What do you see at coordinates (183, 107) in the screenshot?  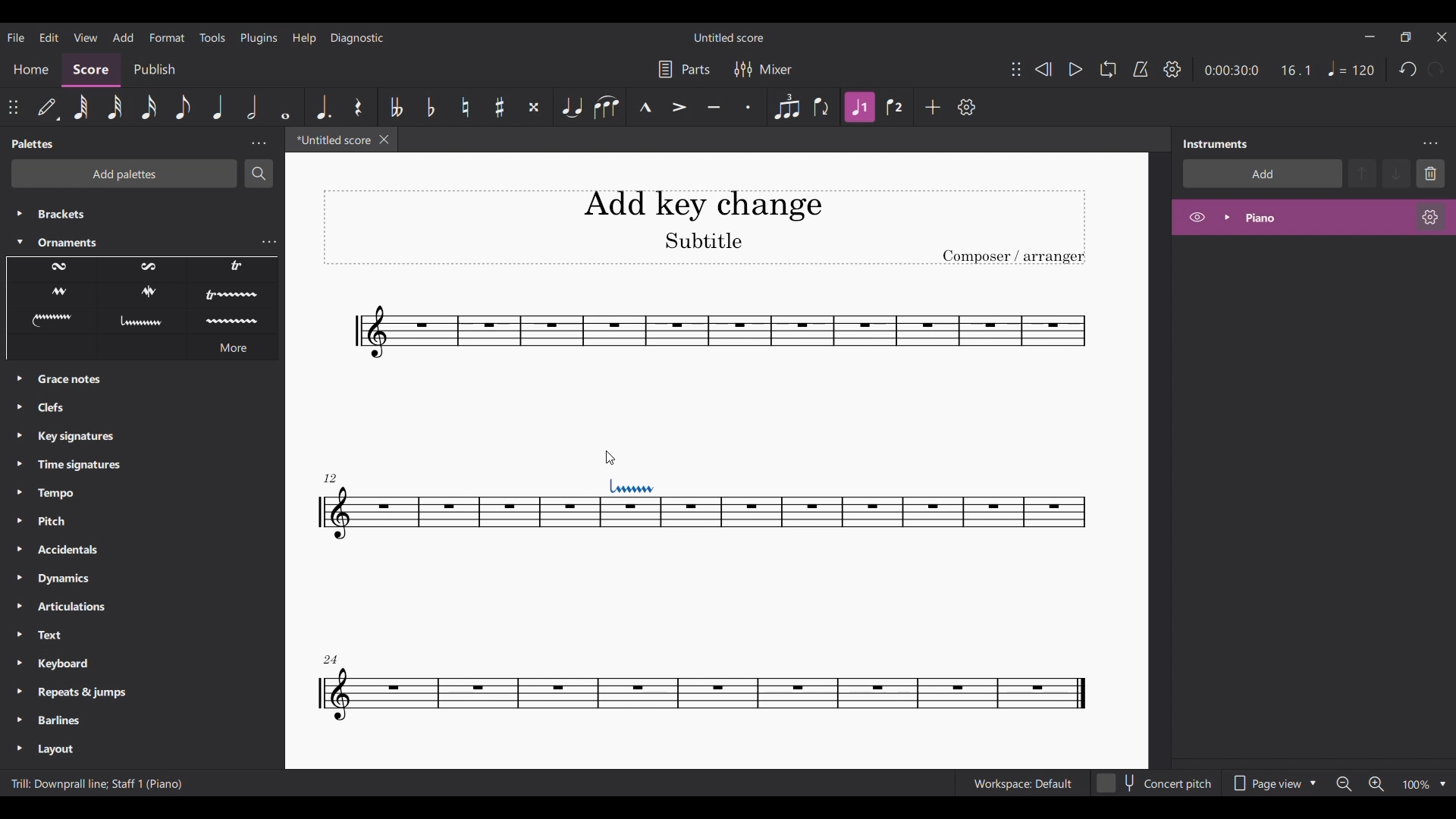 I see `8th note` at bounding box center [183, 107].